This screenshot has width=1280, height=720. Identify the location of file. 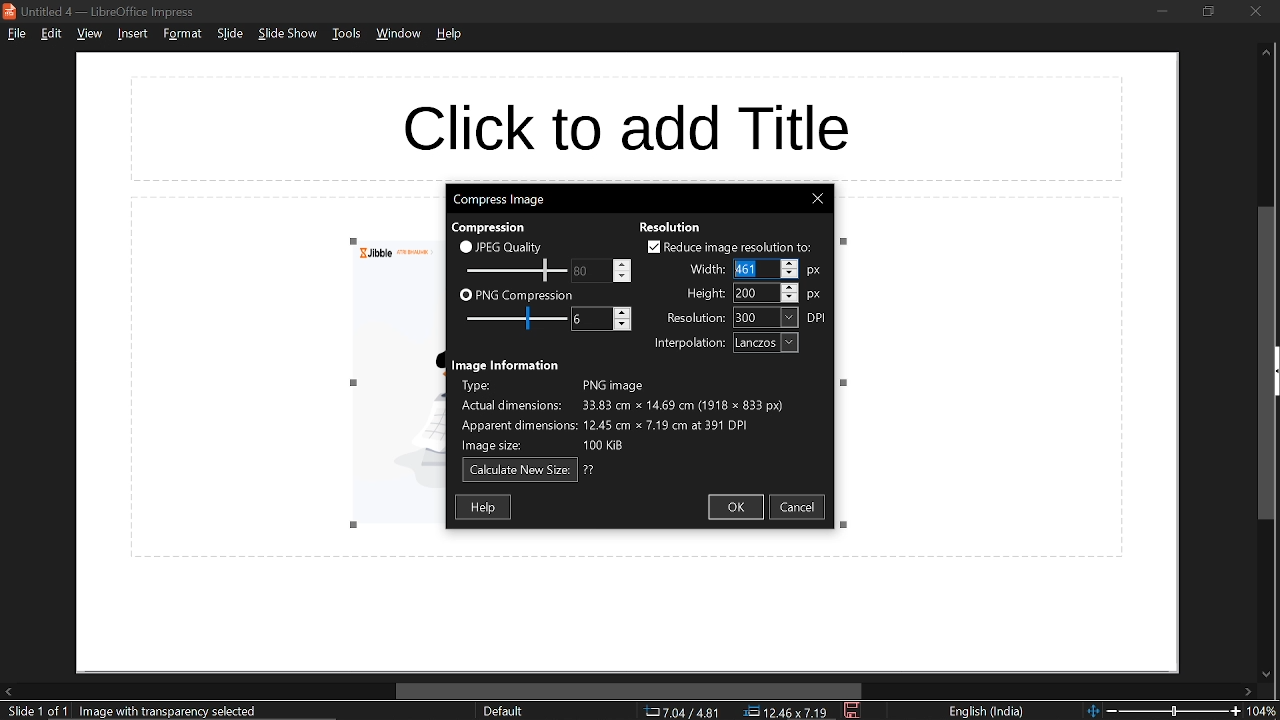
(16, 35).